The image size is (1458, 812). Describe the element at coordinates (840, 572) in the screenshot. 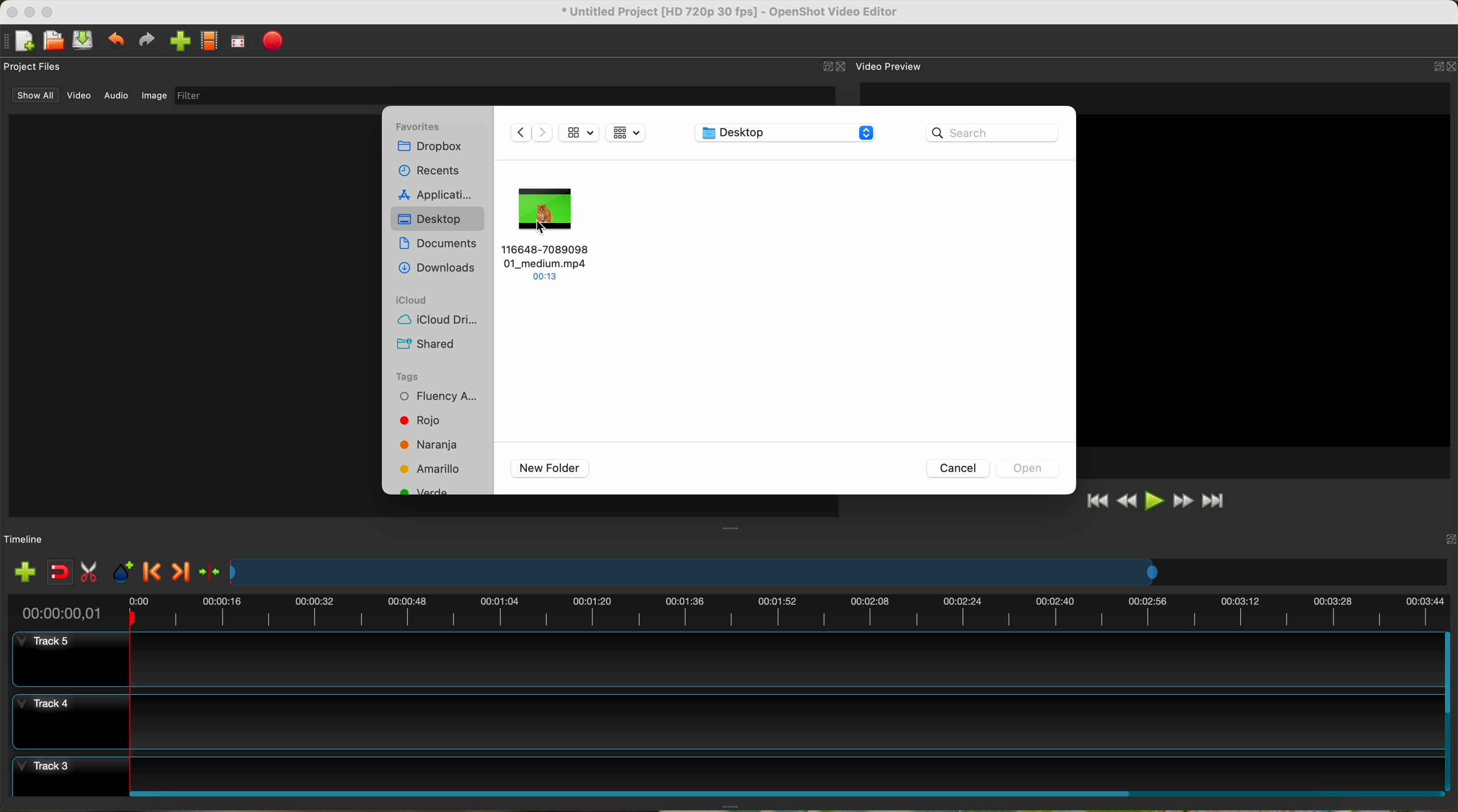

I see `timeline` at that location.